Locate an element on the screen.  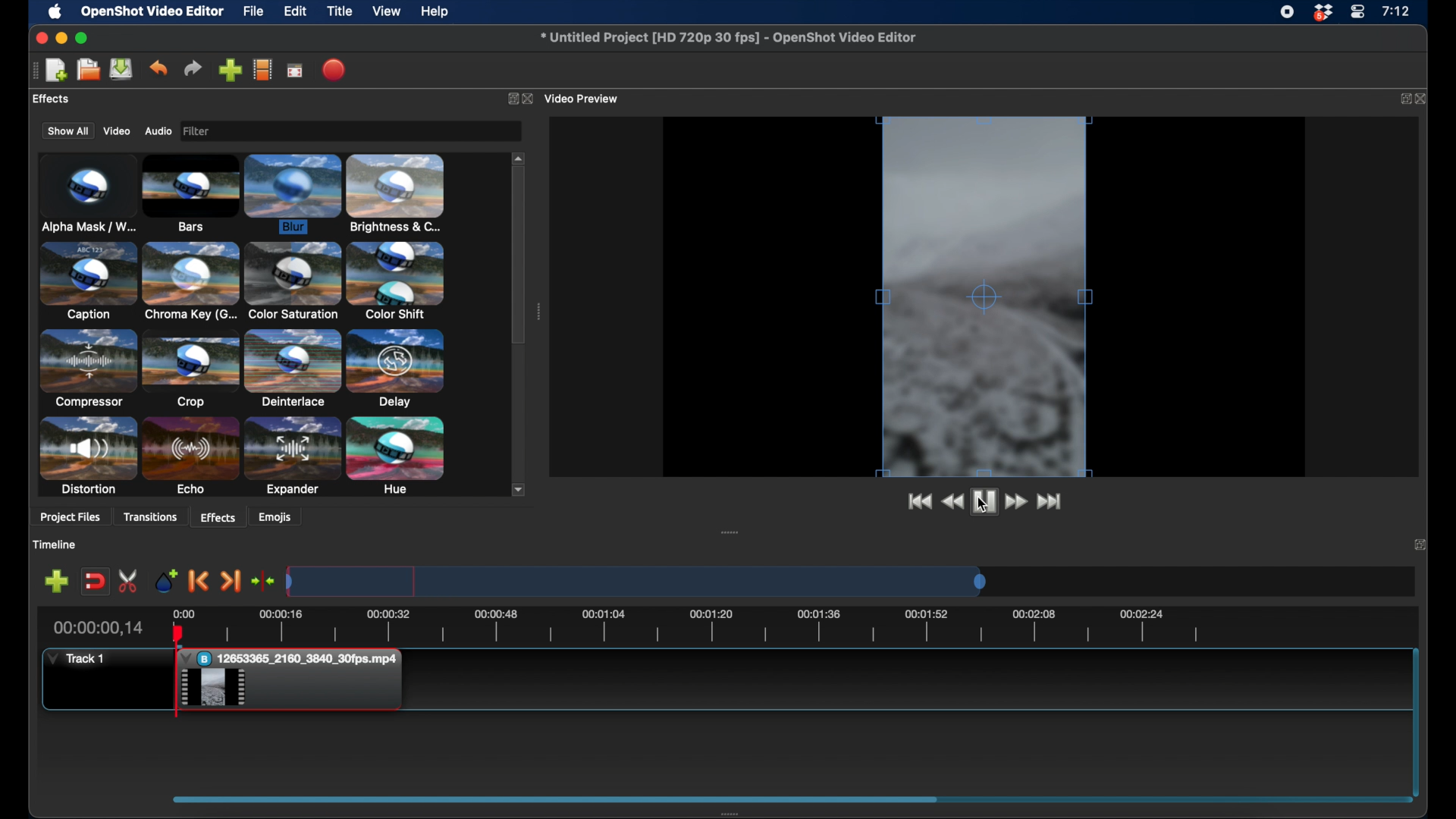
import files is located at coordinates (231, 70).